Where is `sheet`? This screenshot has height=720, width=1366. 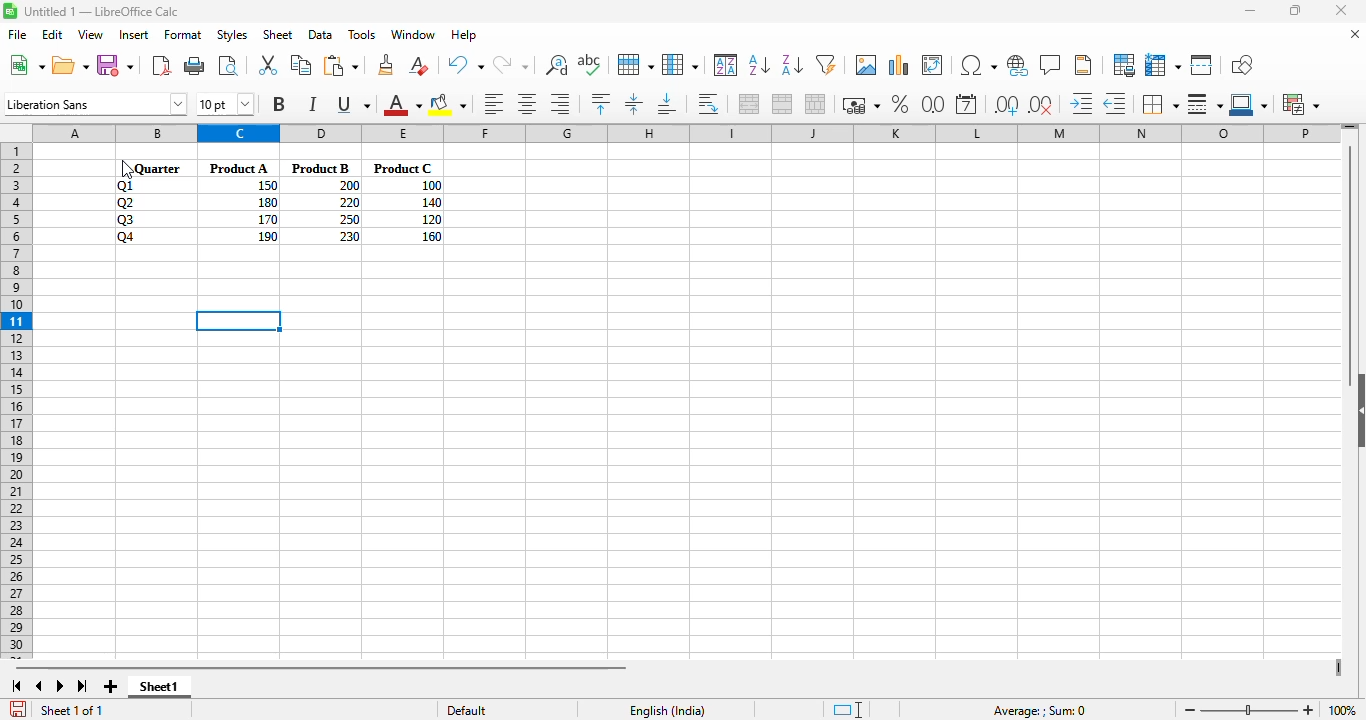
sheet is located at coordinates (277, 35).